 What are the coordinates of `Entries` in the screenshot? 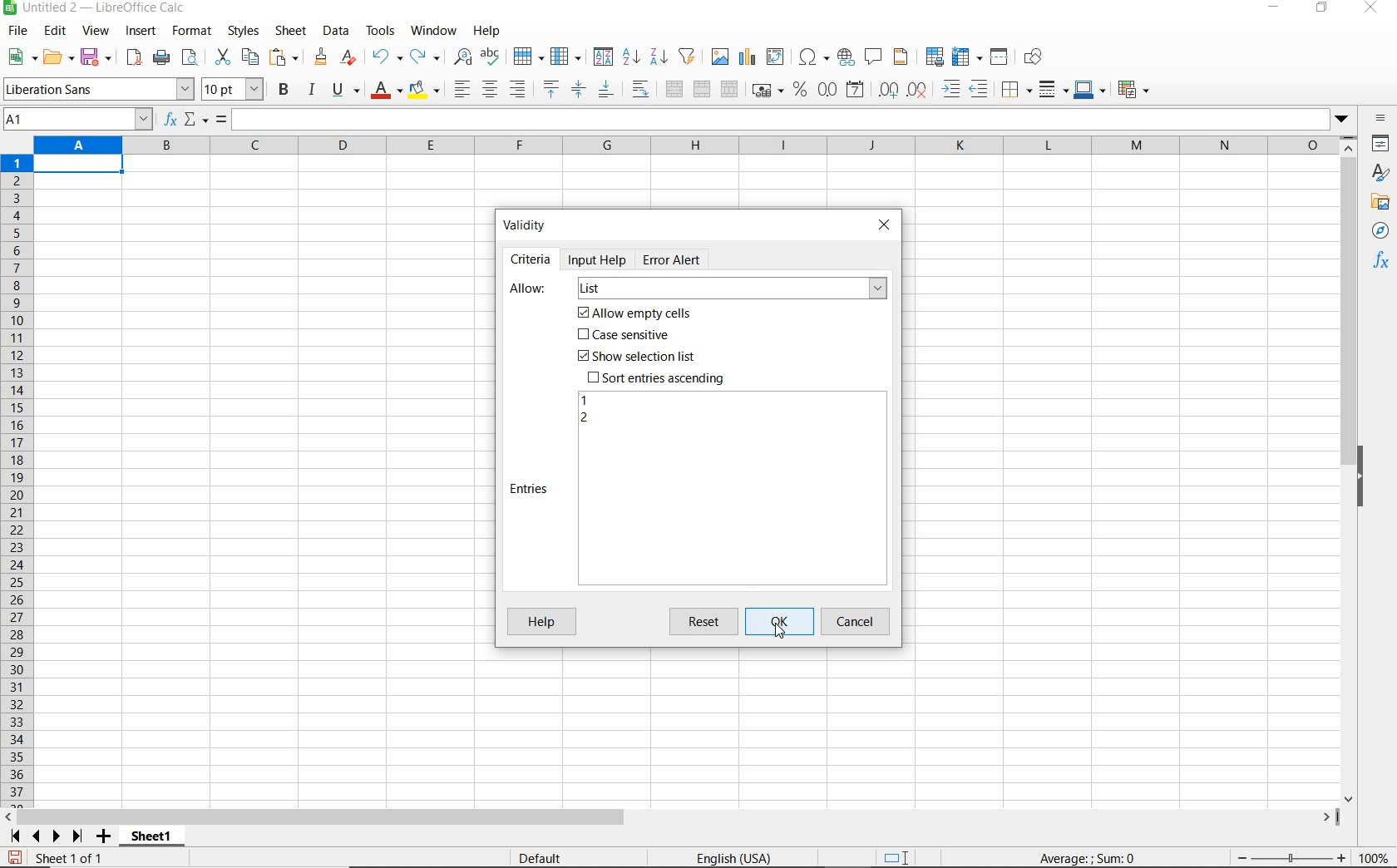 It's located at (531, 489).